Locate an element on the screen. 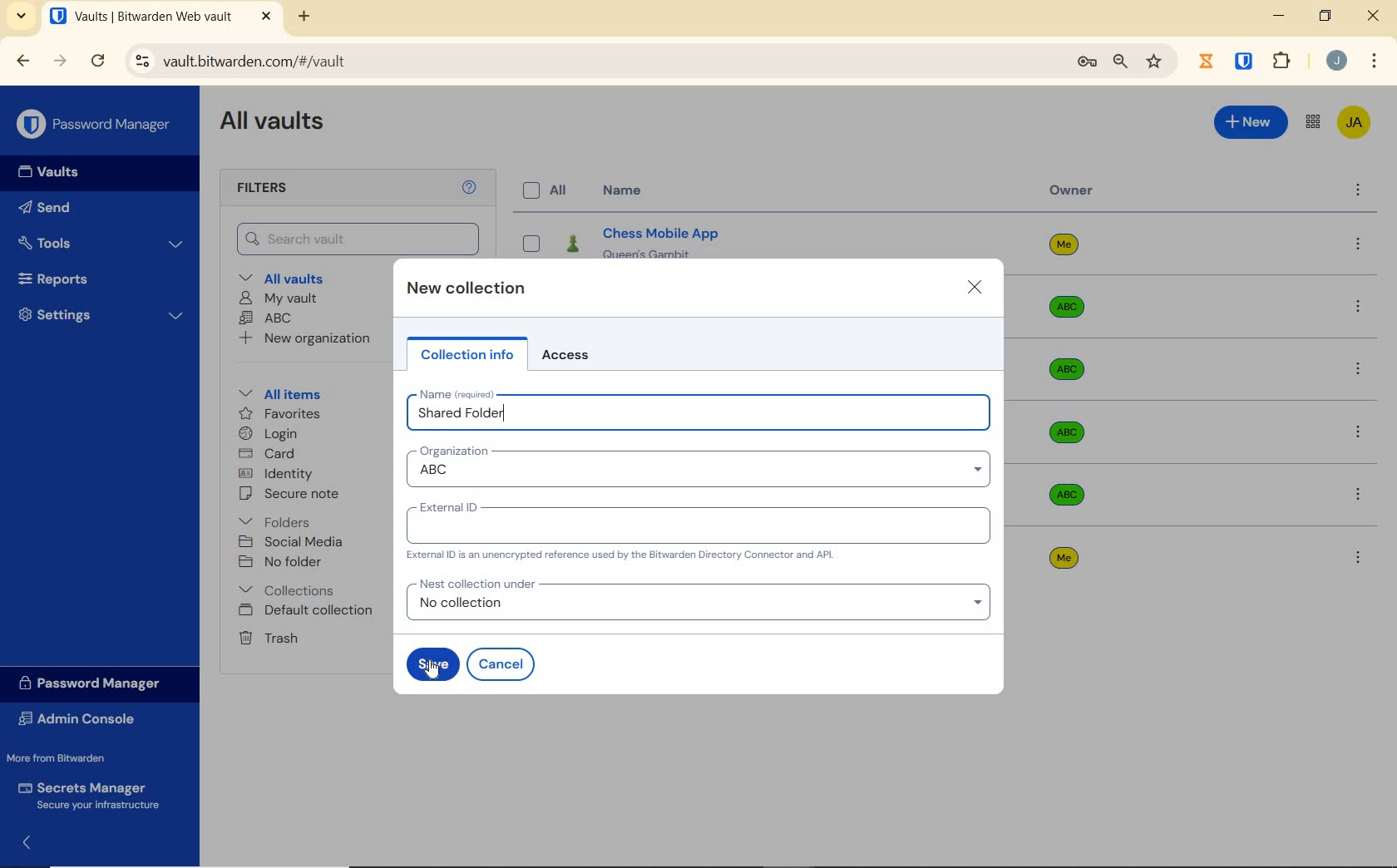 This screenshot has height=868, width=1397. toggle between admin console and password manager is located at coordinates (1312, 121).